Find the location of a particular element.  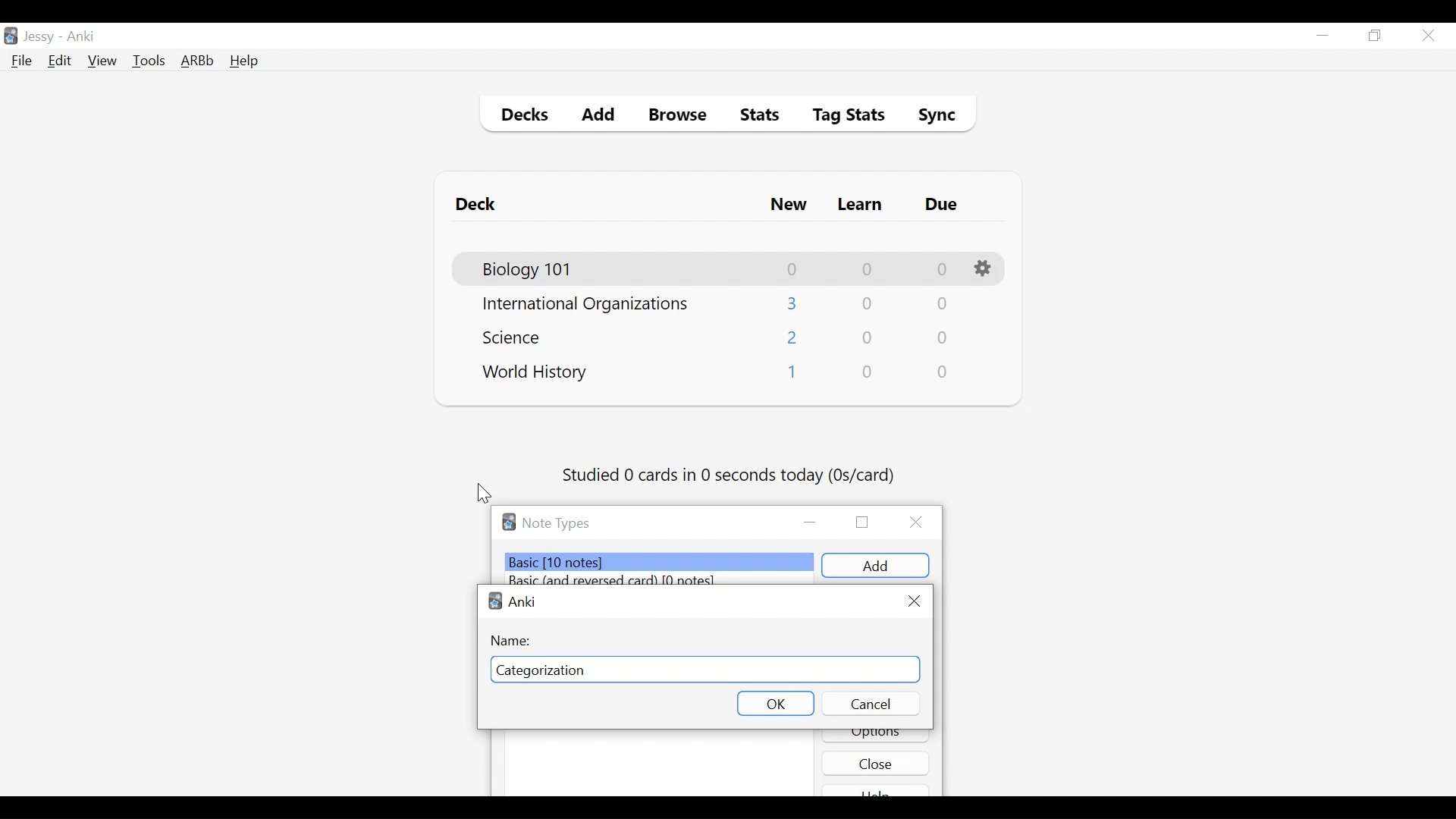

Due Card Count is located at coordinates (941, 306).